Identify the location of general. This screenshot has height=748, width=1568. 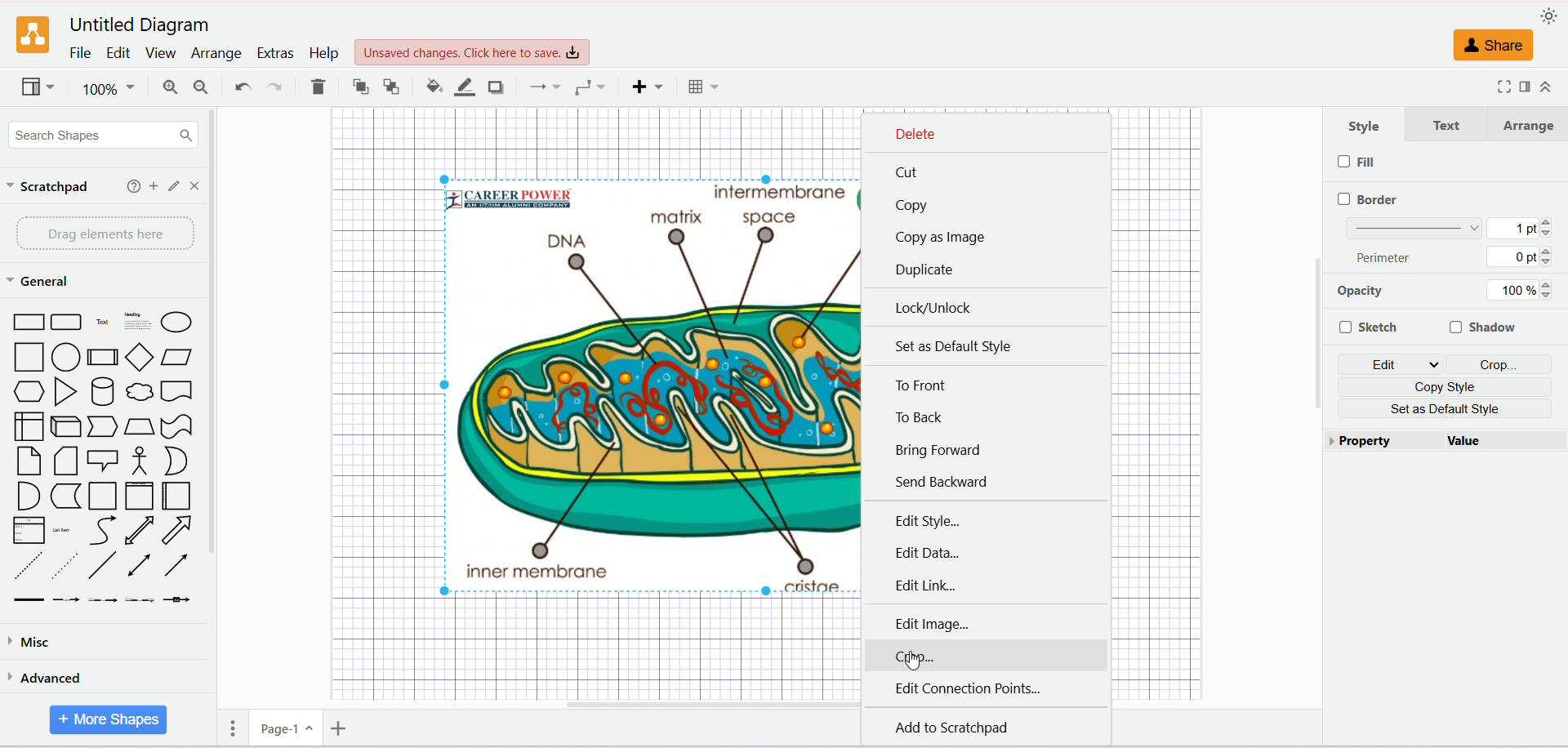
(42, 283).